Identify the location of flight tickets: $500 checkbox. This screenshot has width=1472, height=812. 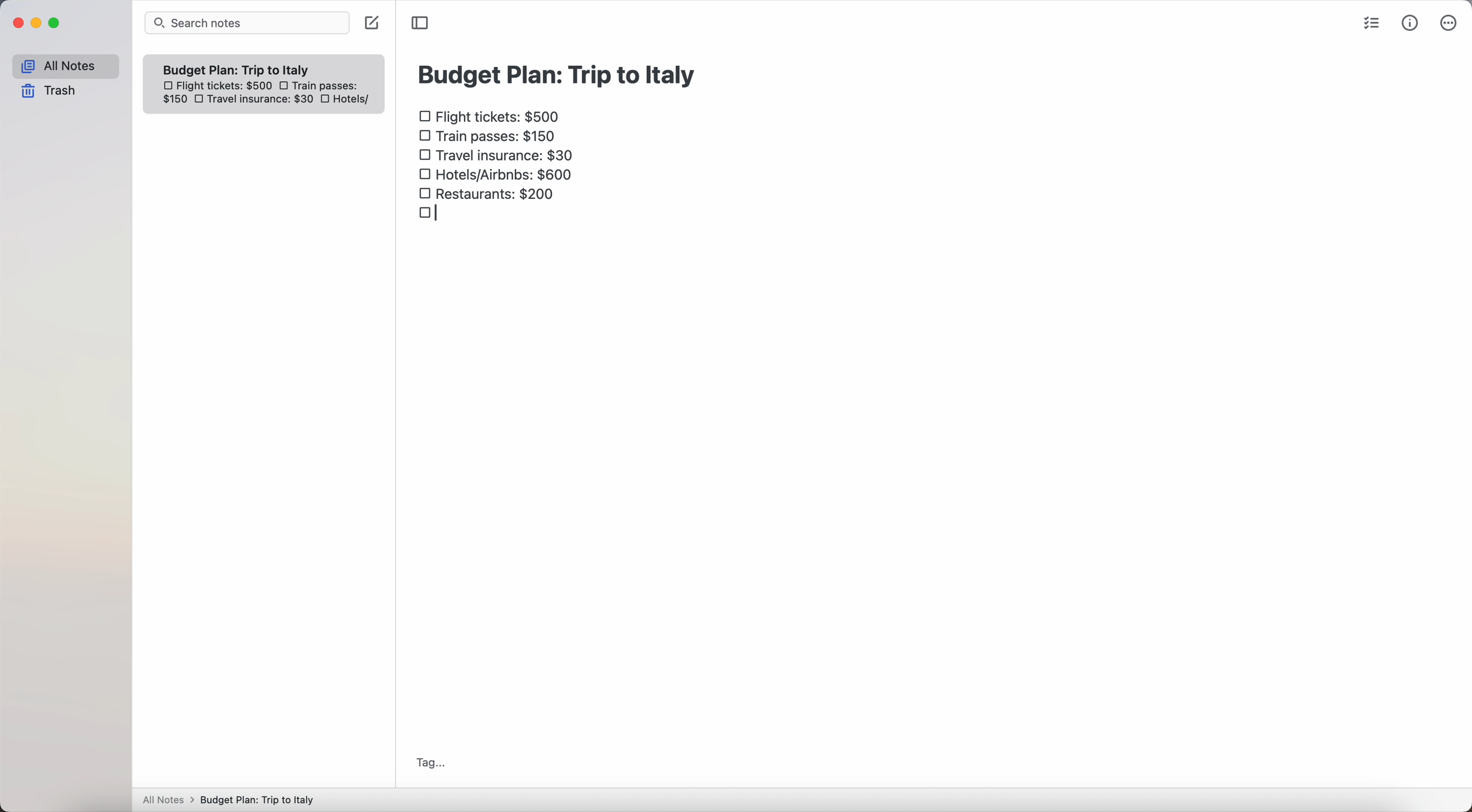
(493, 118).